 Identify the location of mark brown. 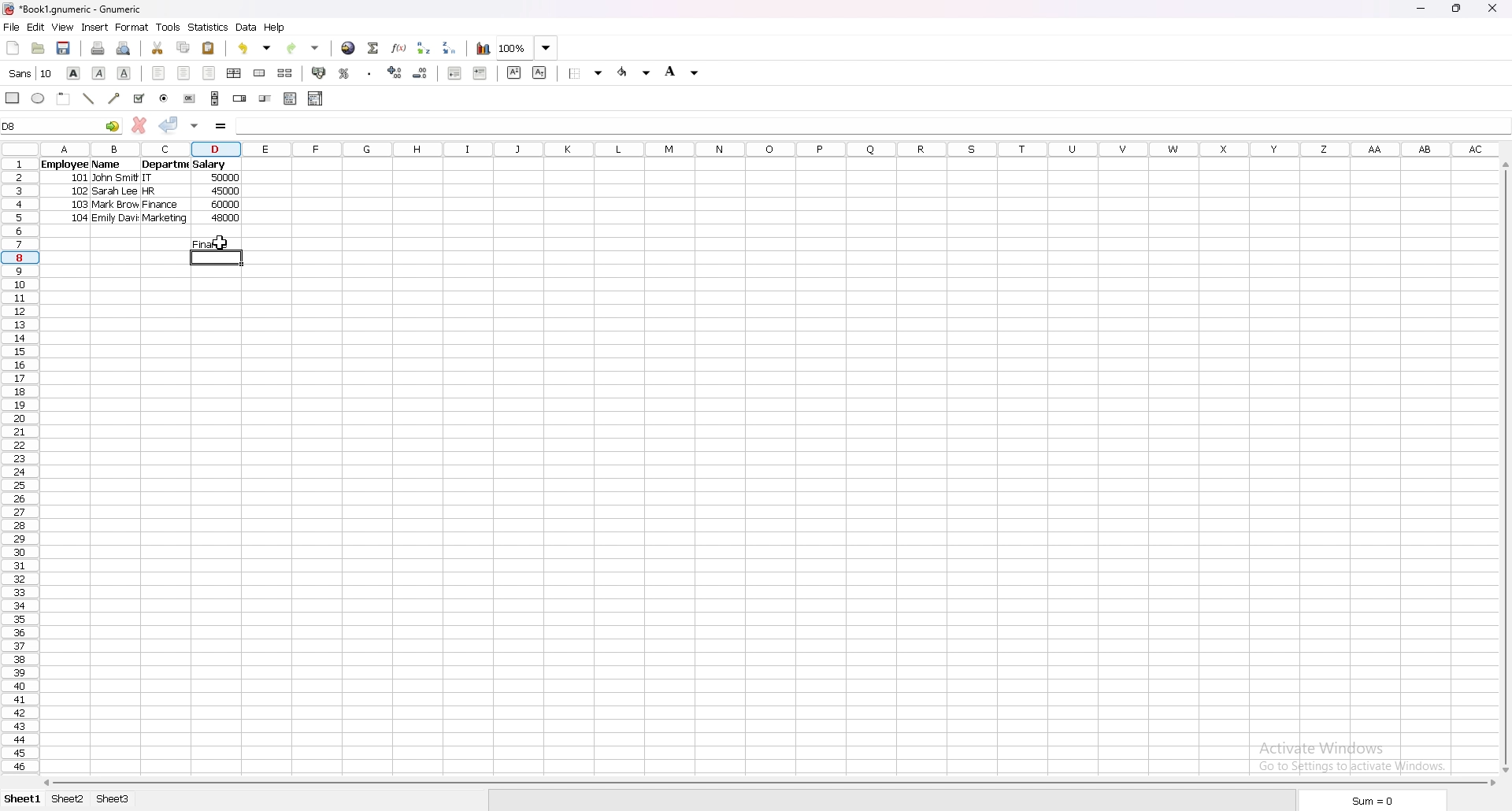
(117, 206).